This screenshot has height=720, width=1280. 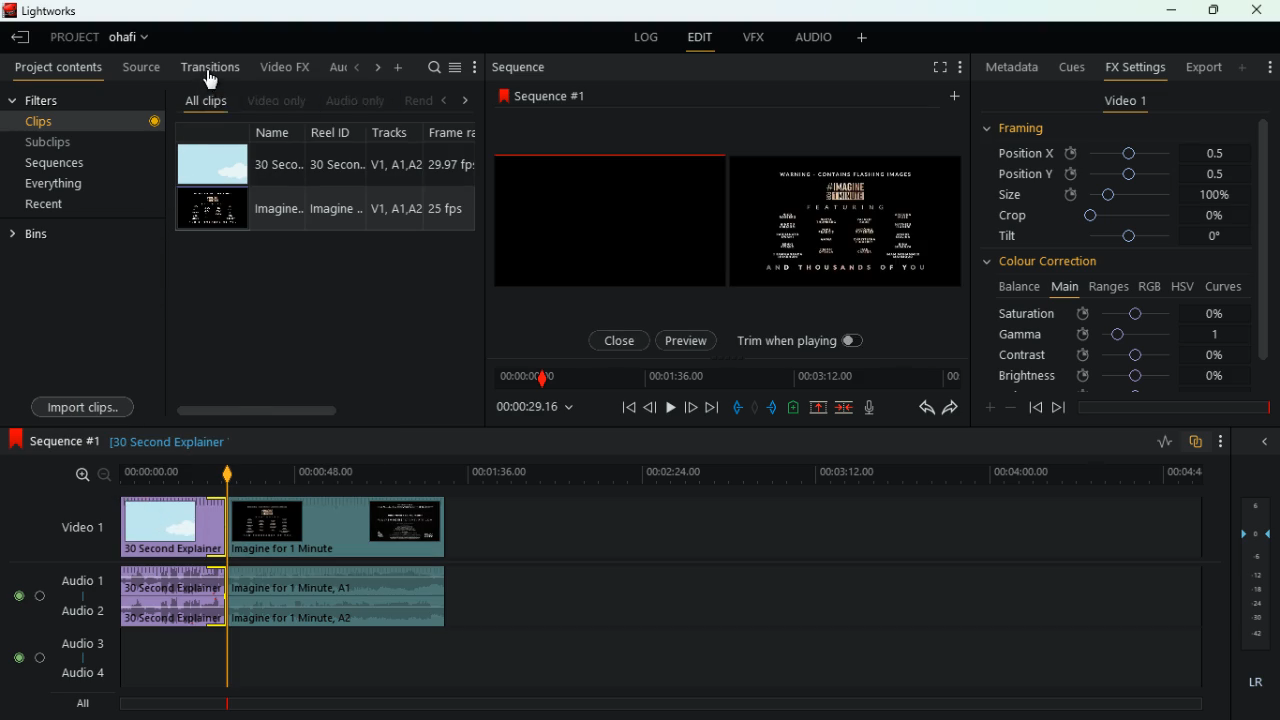 What do you see at coordinates (1113, 238) in the screenshot?
I see `tilt` at bounding box center [1113, 238].